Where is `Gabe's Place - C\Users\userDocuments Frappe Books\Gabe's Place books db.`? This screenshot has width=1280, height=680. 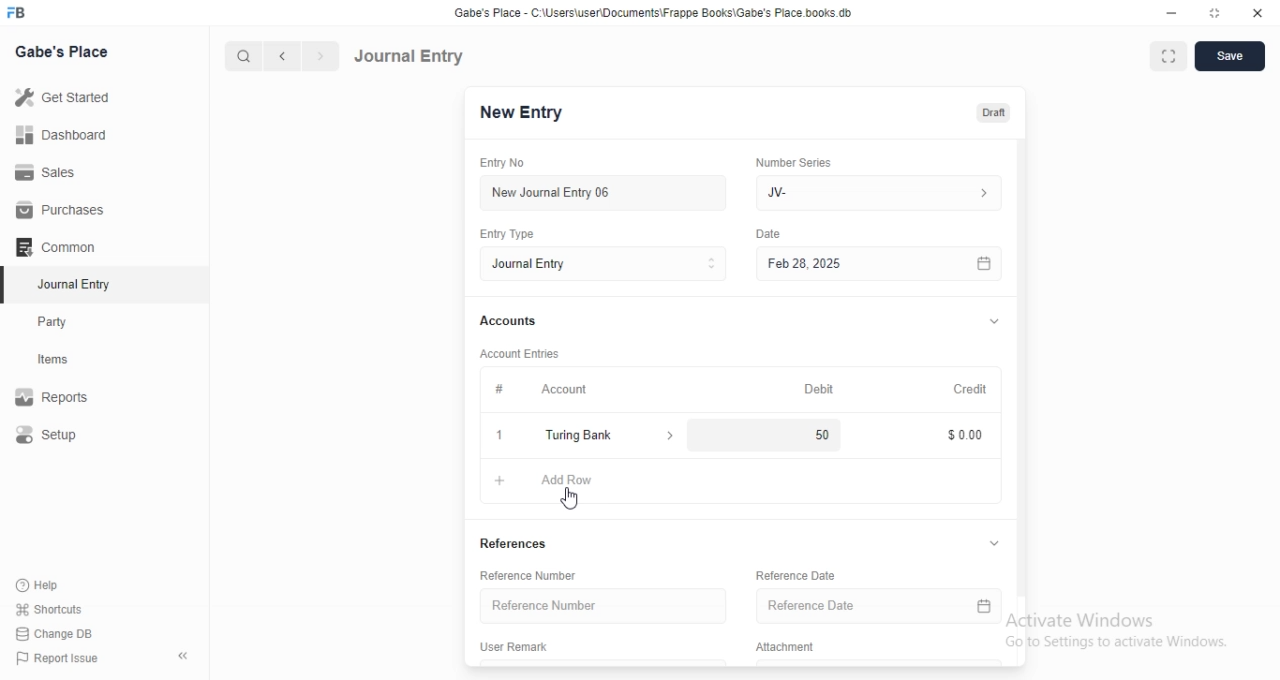 Gabe's Place - C\Users\userDocuments Frappe Books\Gabe's Place books db. is located at coordinates (654, 13).